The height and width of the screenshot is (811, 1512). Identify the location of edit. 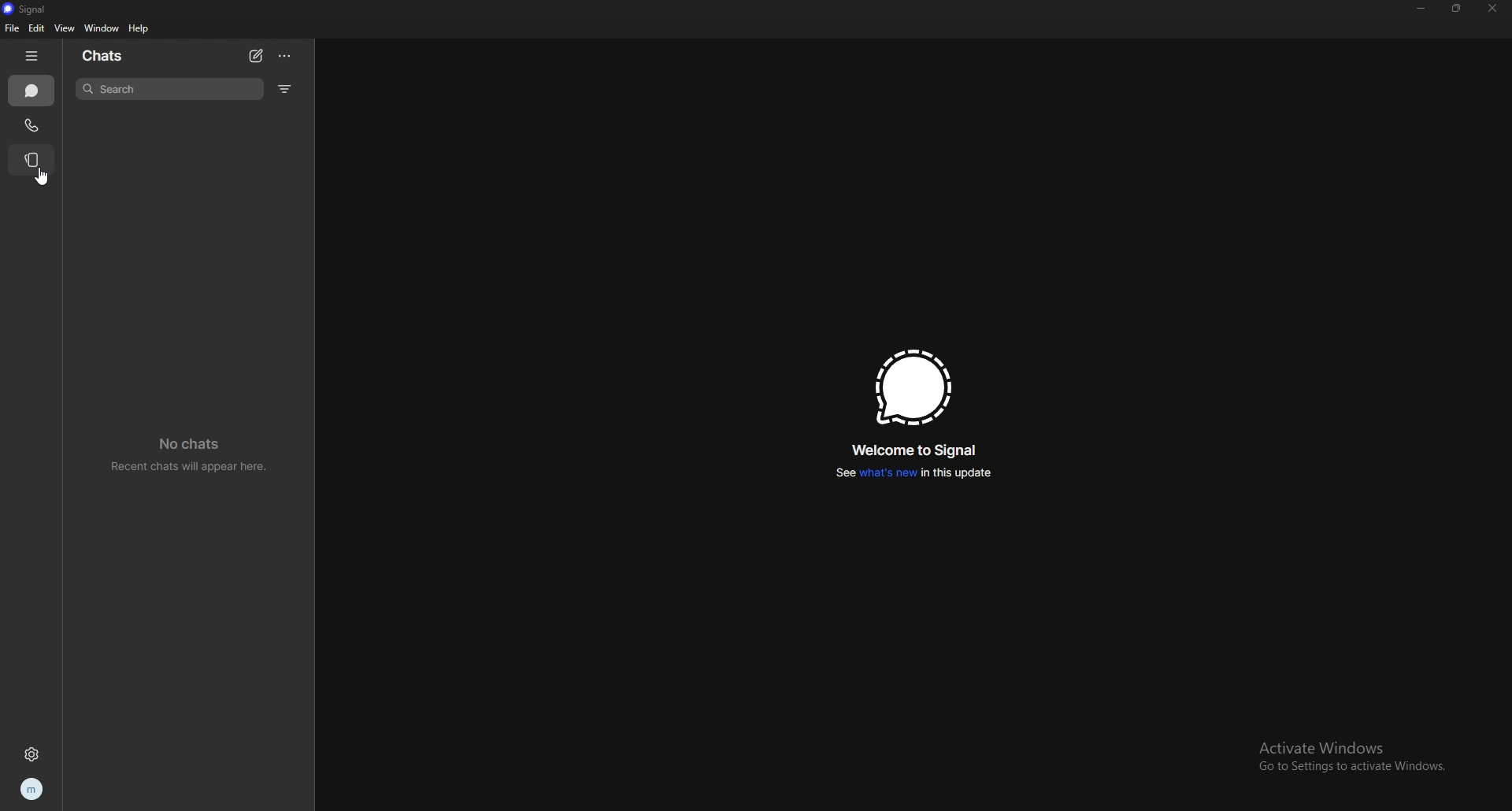
(36, 28).